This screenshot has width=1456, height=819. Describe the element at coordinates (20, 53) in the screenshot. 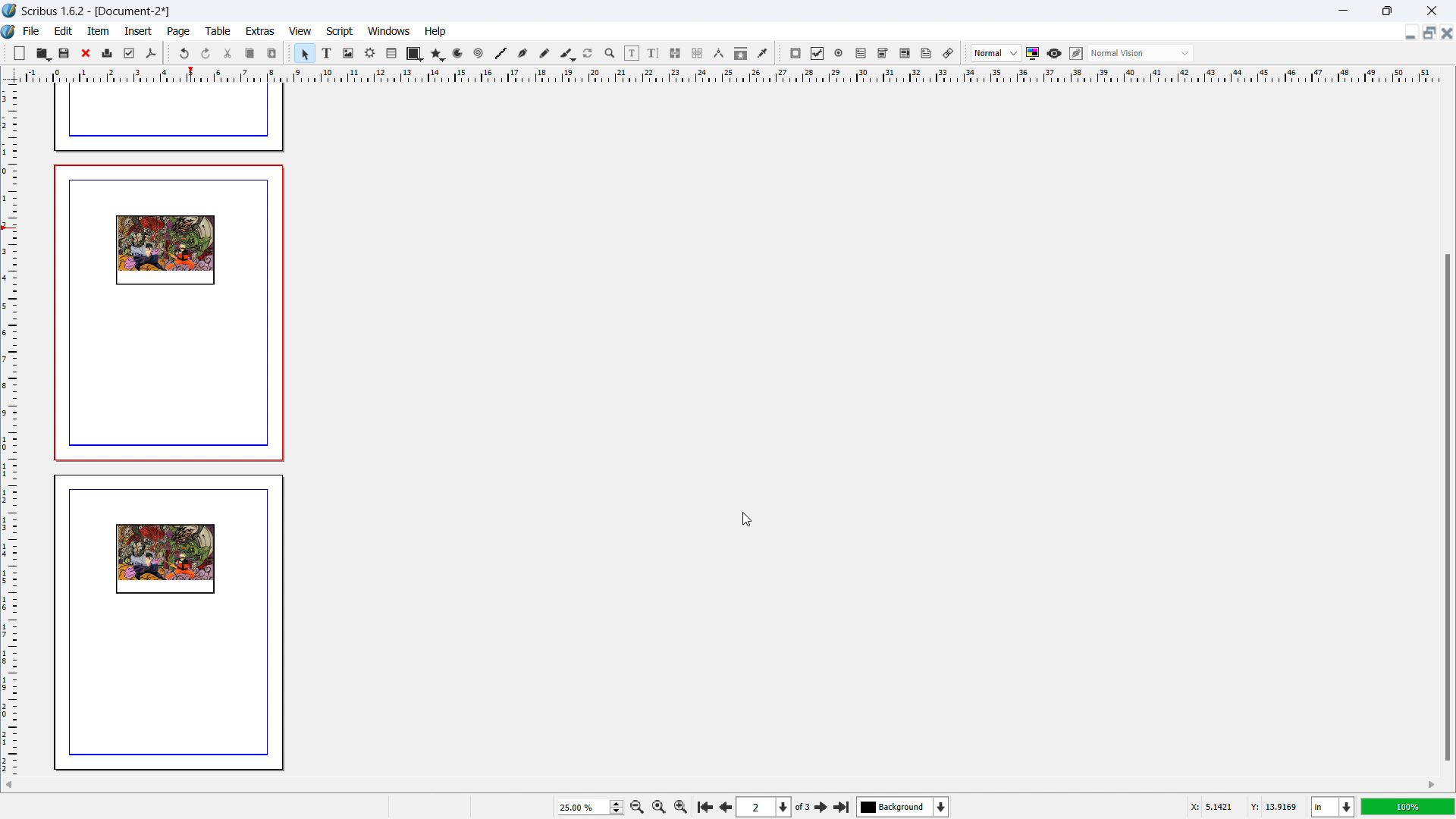

I see `new` at that location.